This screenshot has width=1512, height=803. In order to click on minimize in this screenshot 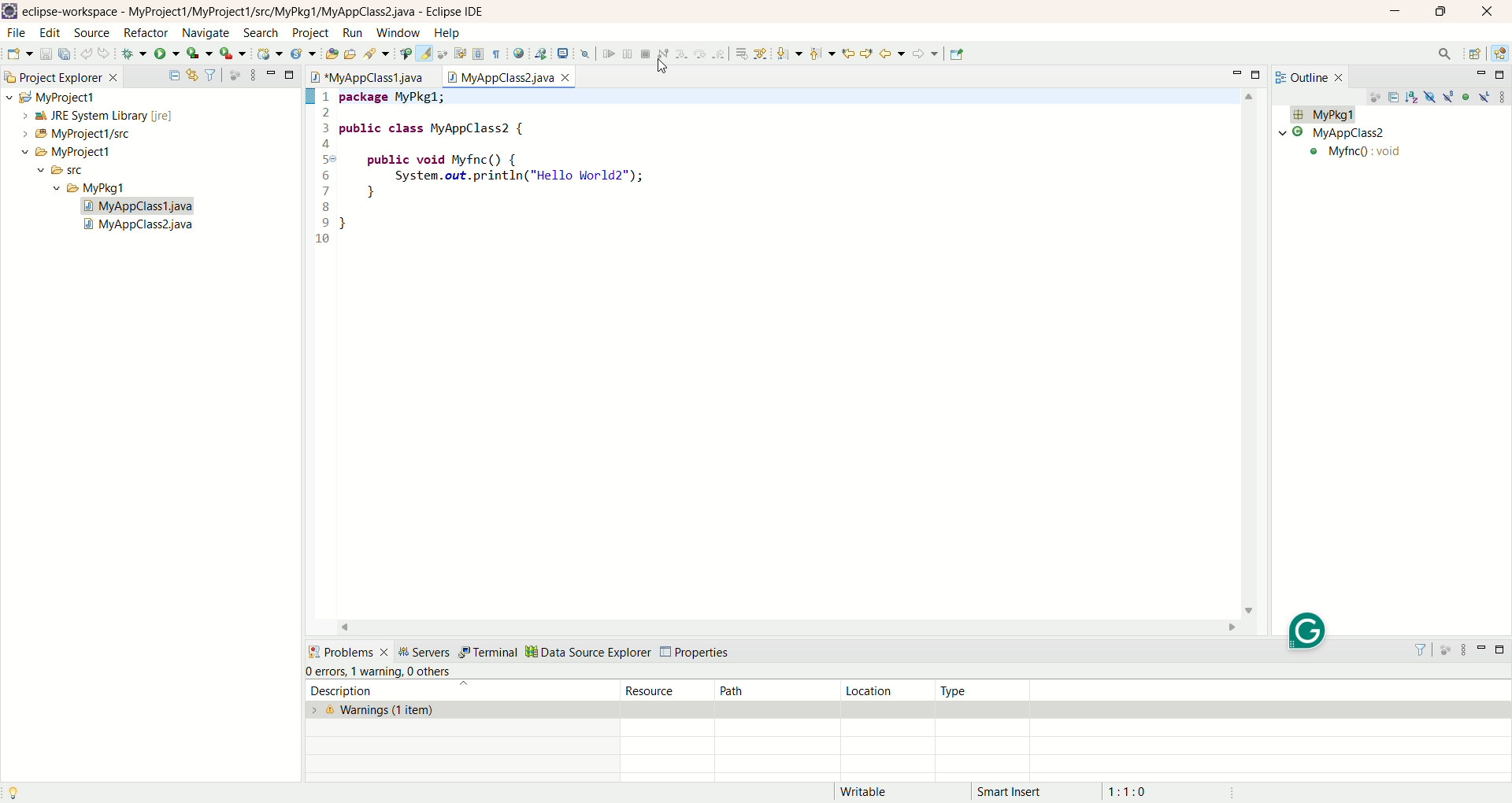, I will do `click(1480, 653)`.